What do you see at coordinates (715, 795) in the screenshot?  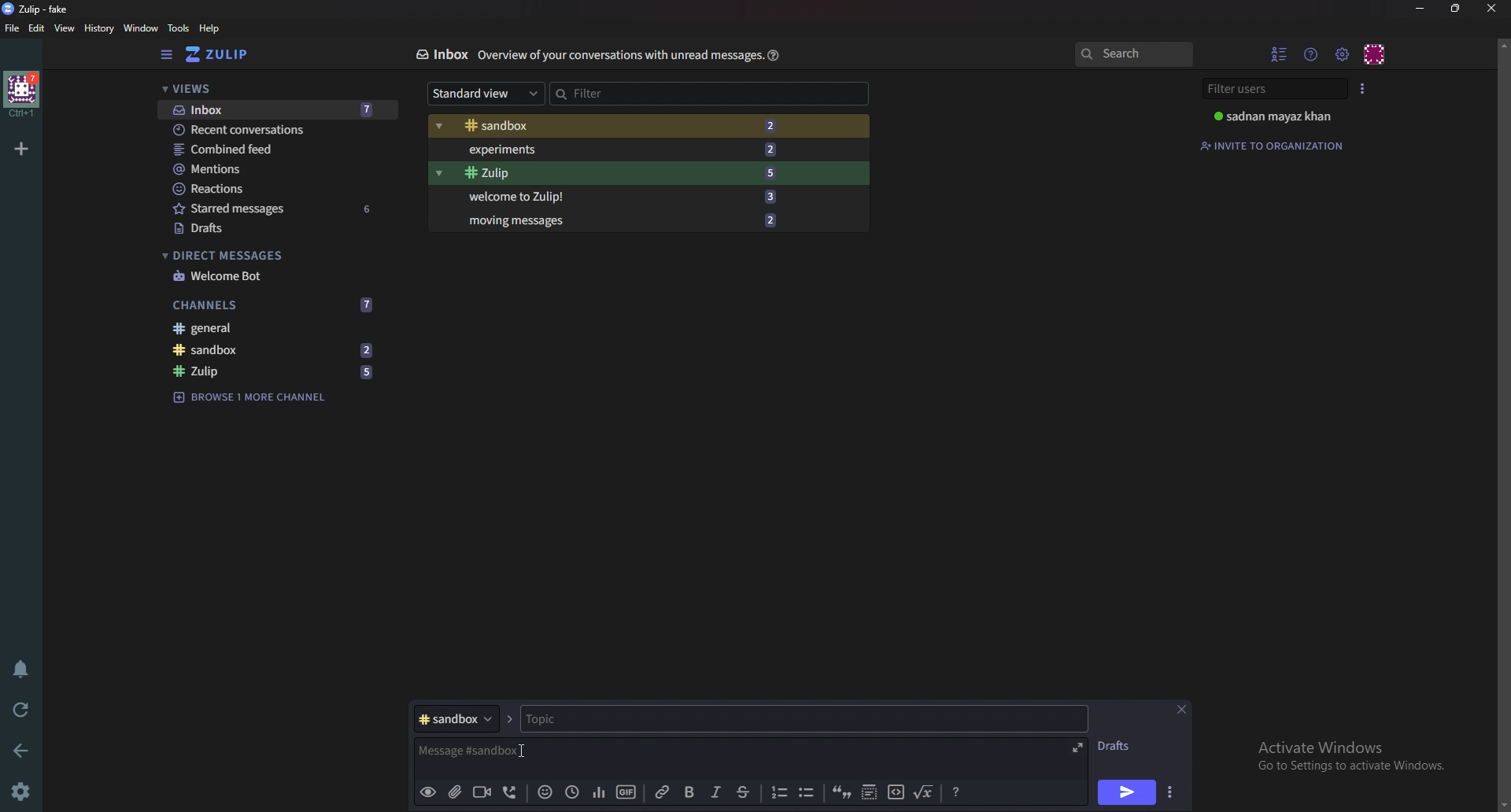 I see `Italic` at bounding box center [715, 795].